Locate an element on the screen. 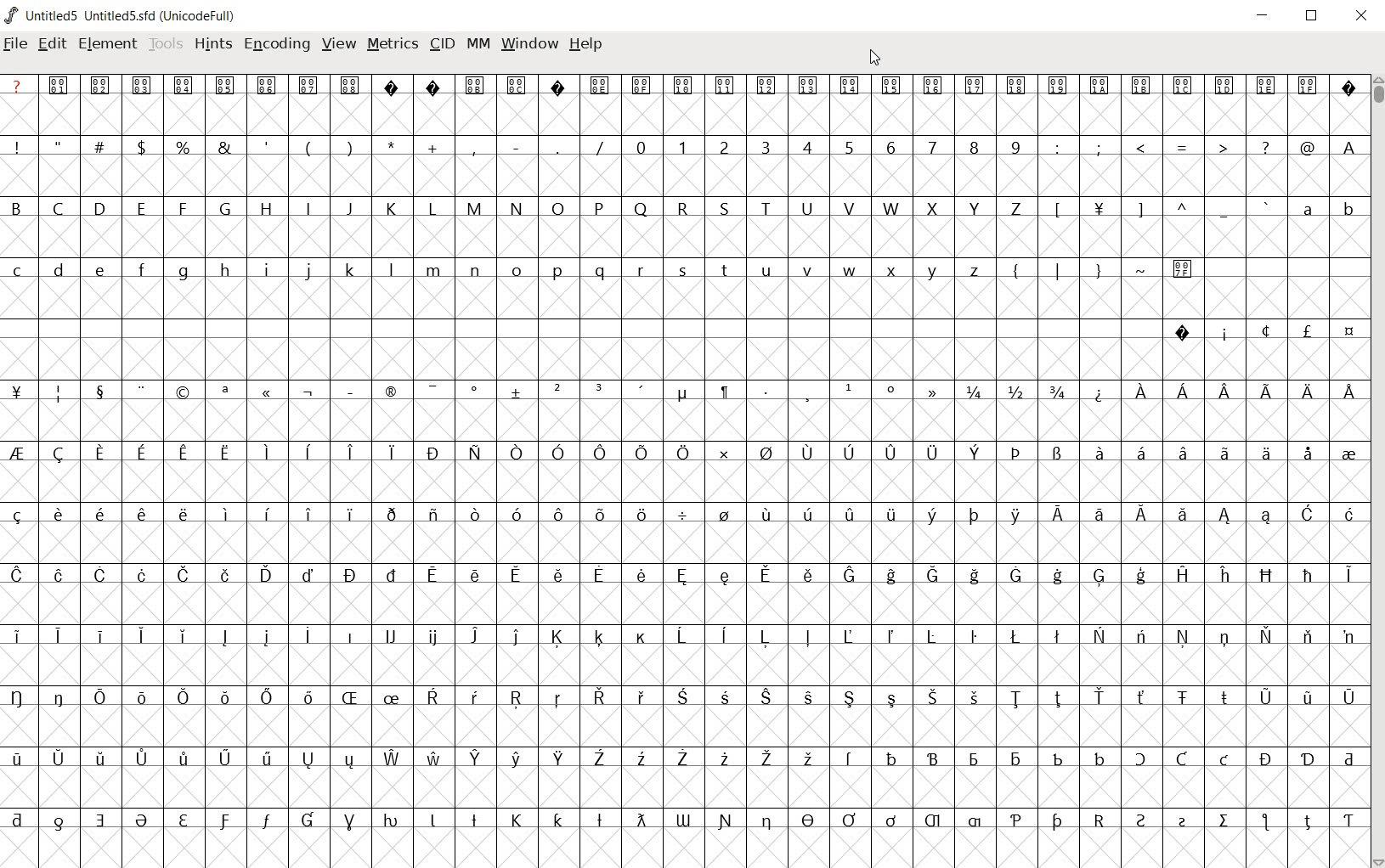 This screenshot has height=868, width=1385. Symbol is located at coordinates (349, 454).